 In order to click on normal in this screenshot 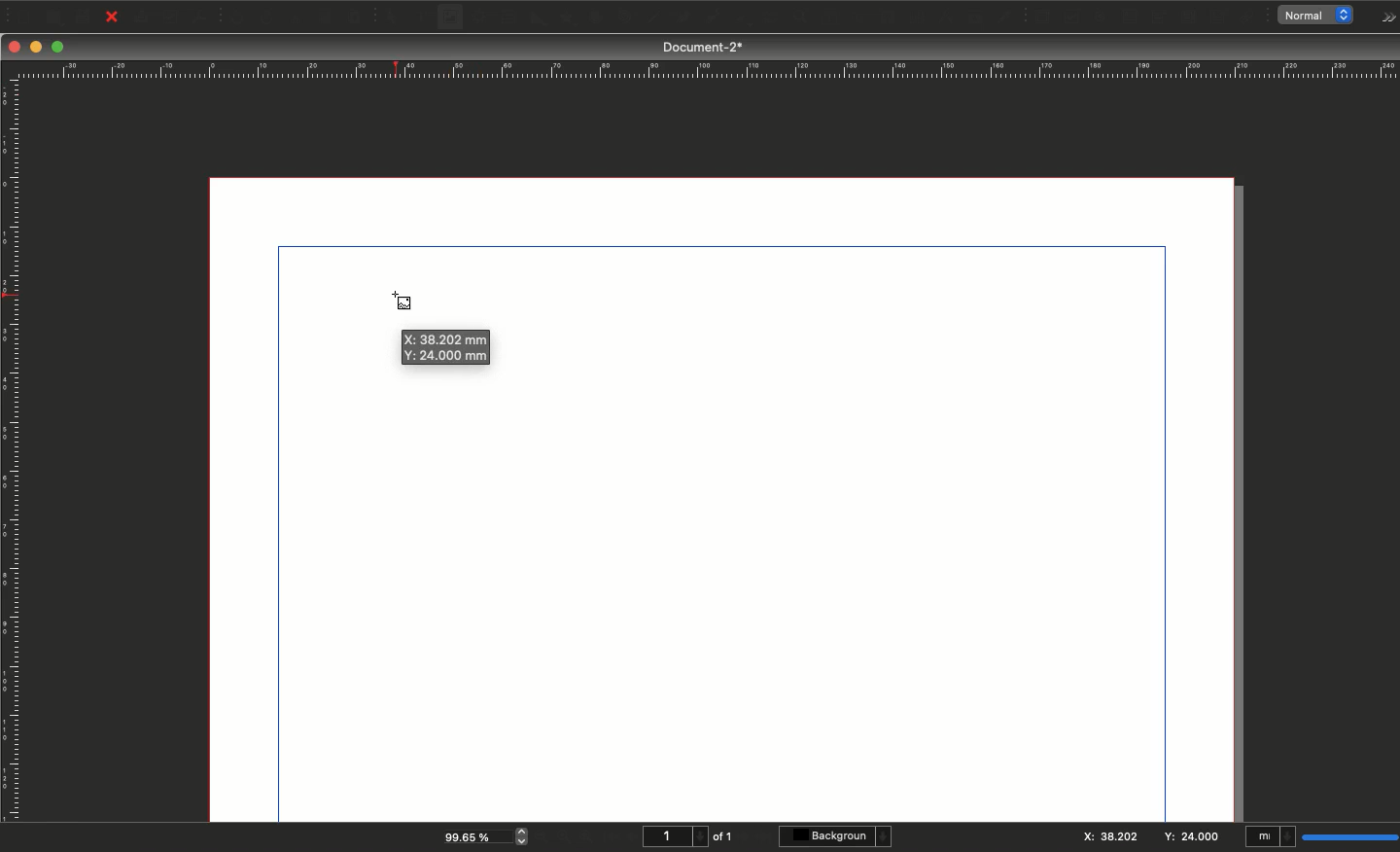, I will do `click(1320, 16)`.